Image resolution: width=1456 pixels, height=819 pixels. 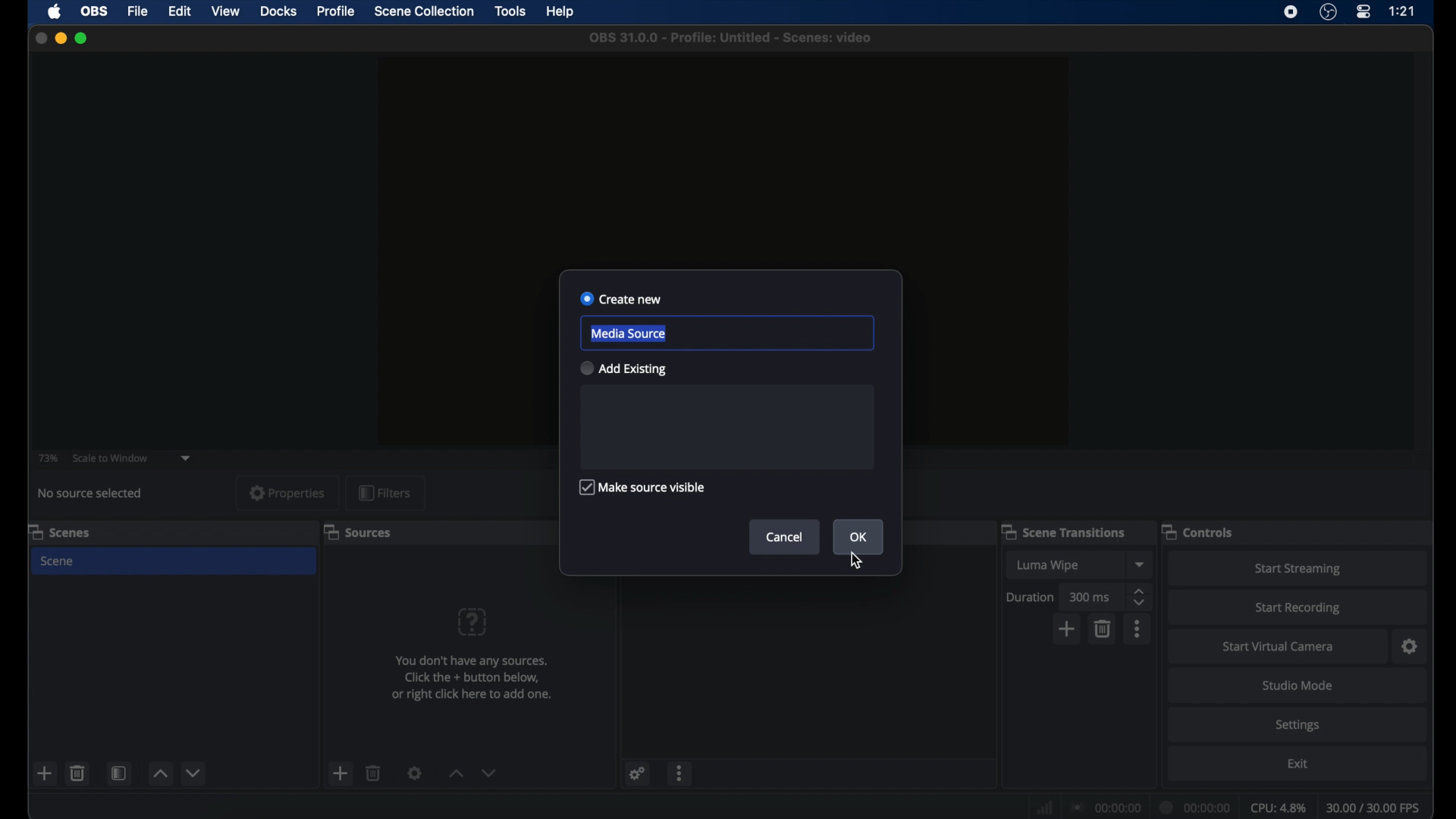 What do you see at coordinates (1141, 564) in the screenshot?
I see `dropdown` at bounding box center [1141, 564].